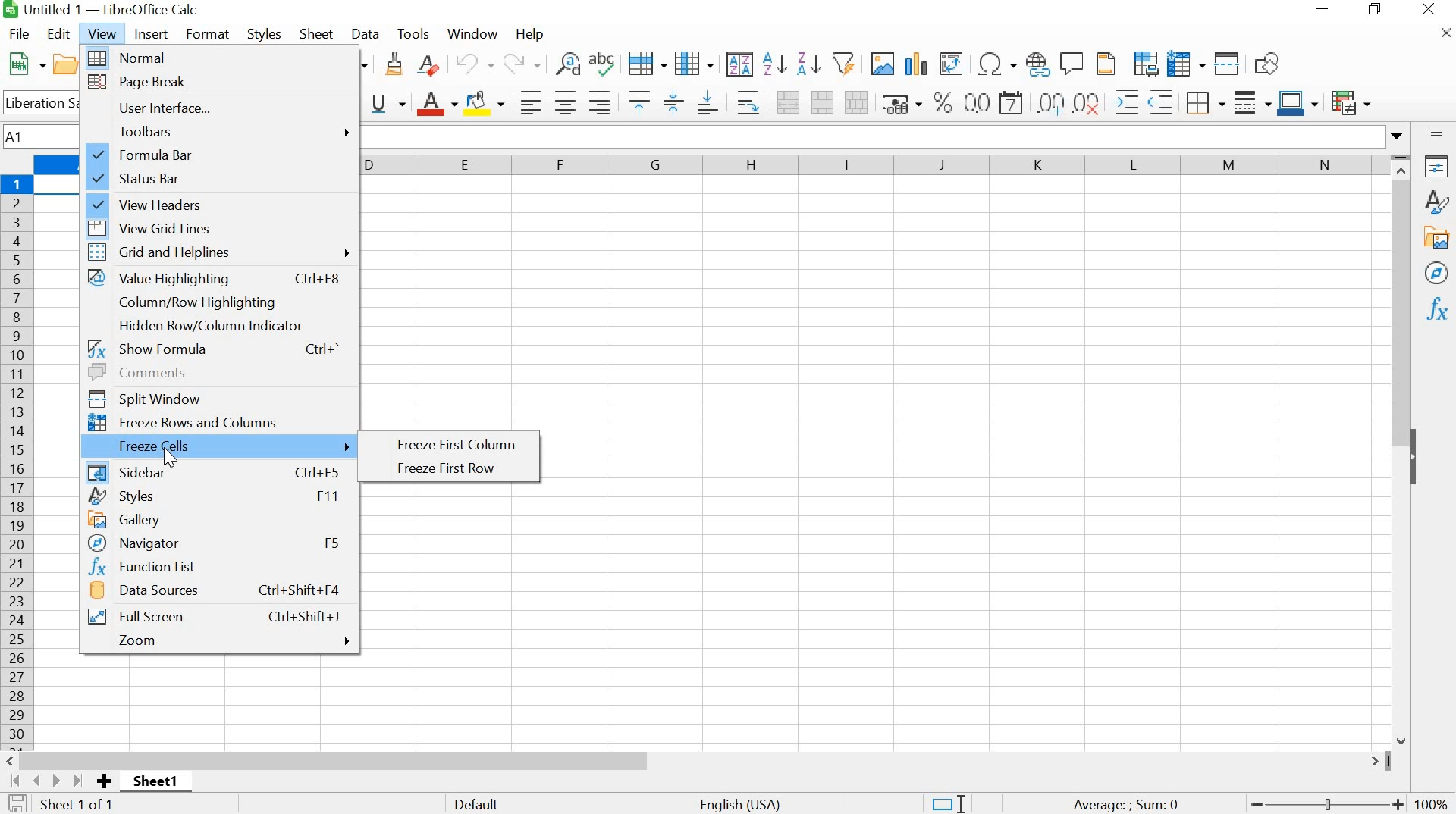 The width and height of the screenshot is (1456, 814). Describe the element at coordinates (739, 64) in the screenshot. I see `SORT` at that location.